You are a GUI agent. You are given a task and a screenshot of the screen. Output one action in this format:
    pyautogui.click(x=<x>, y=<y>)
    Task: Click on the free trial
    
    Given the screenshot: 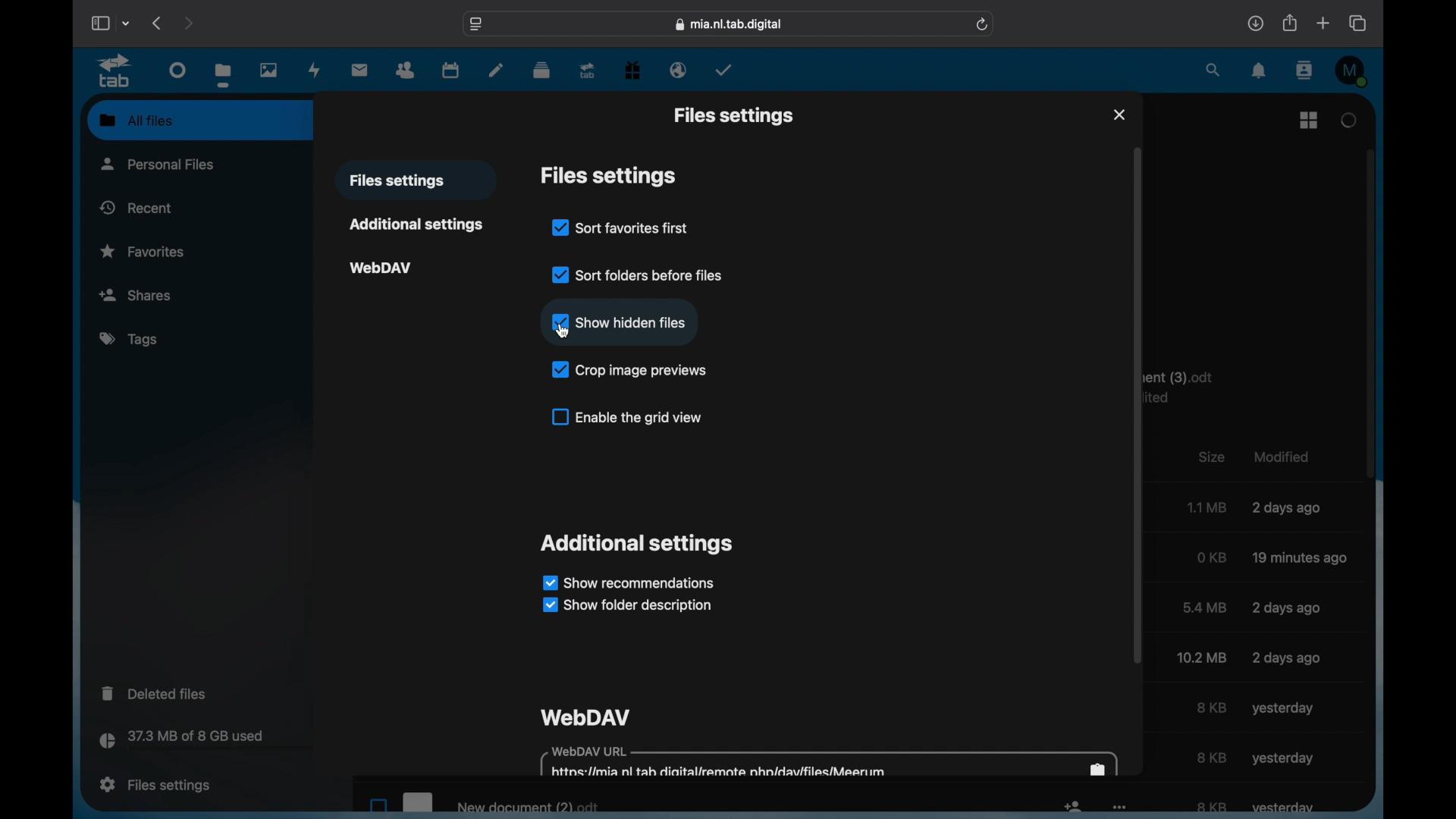 What is the action you would take?
    pyautogui.click(x=632, y=71)
    